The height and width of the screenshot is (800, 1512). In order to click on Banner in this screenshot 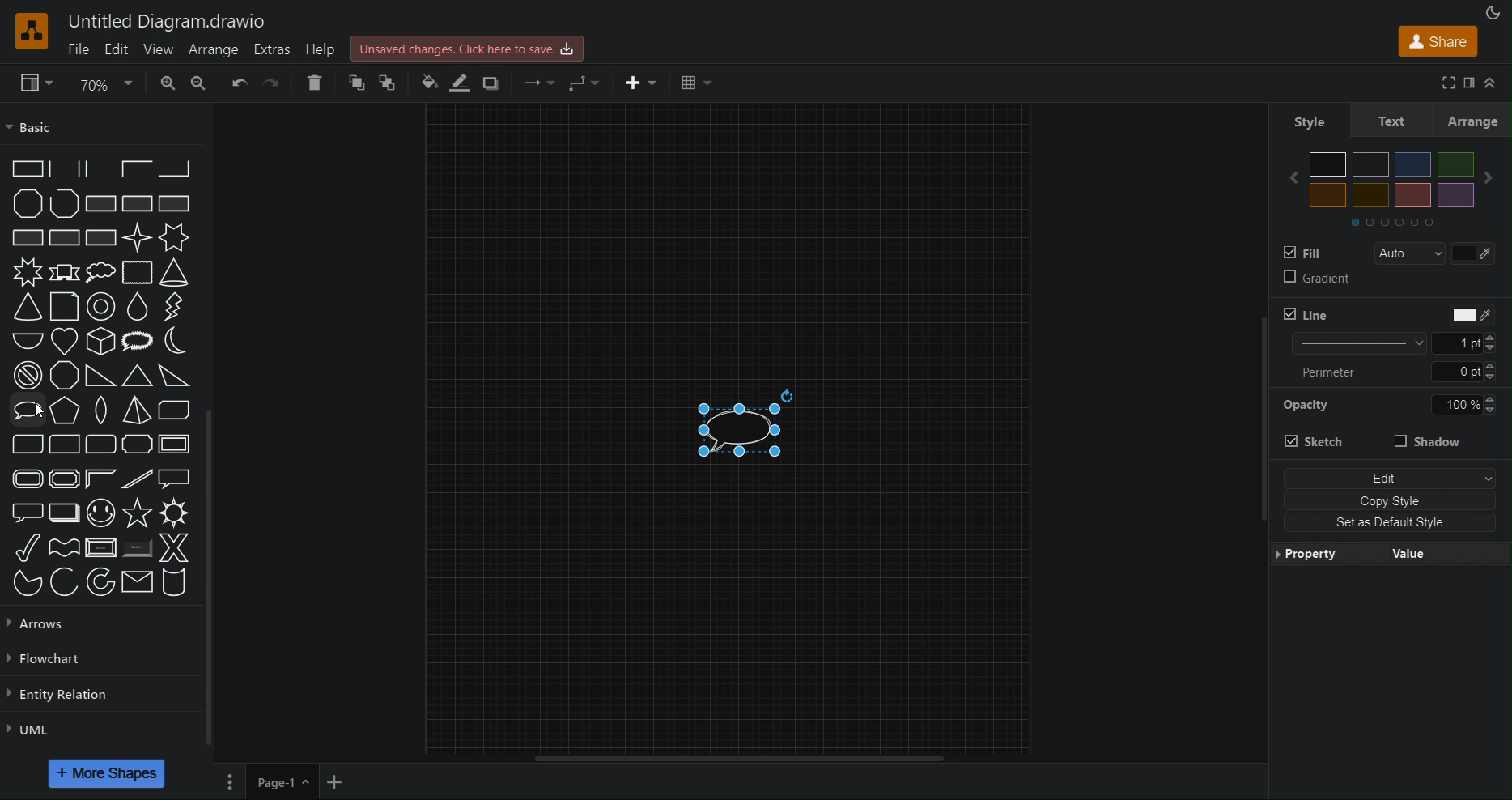, I will do `click(64, 272)`.